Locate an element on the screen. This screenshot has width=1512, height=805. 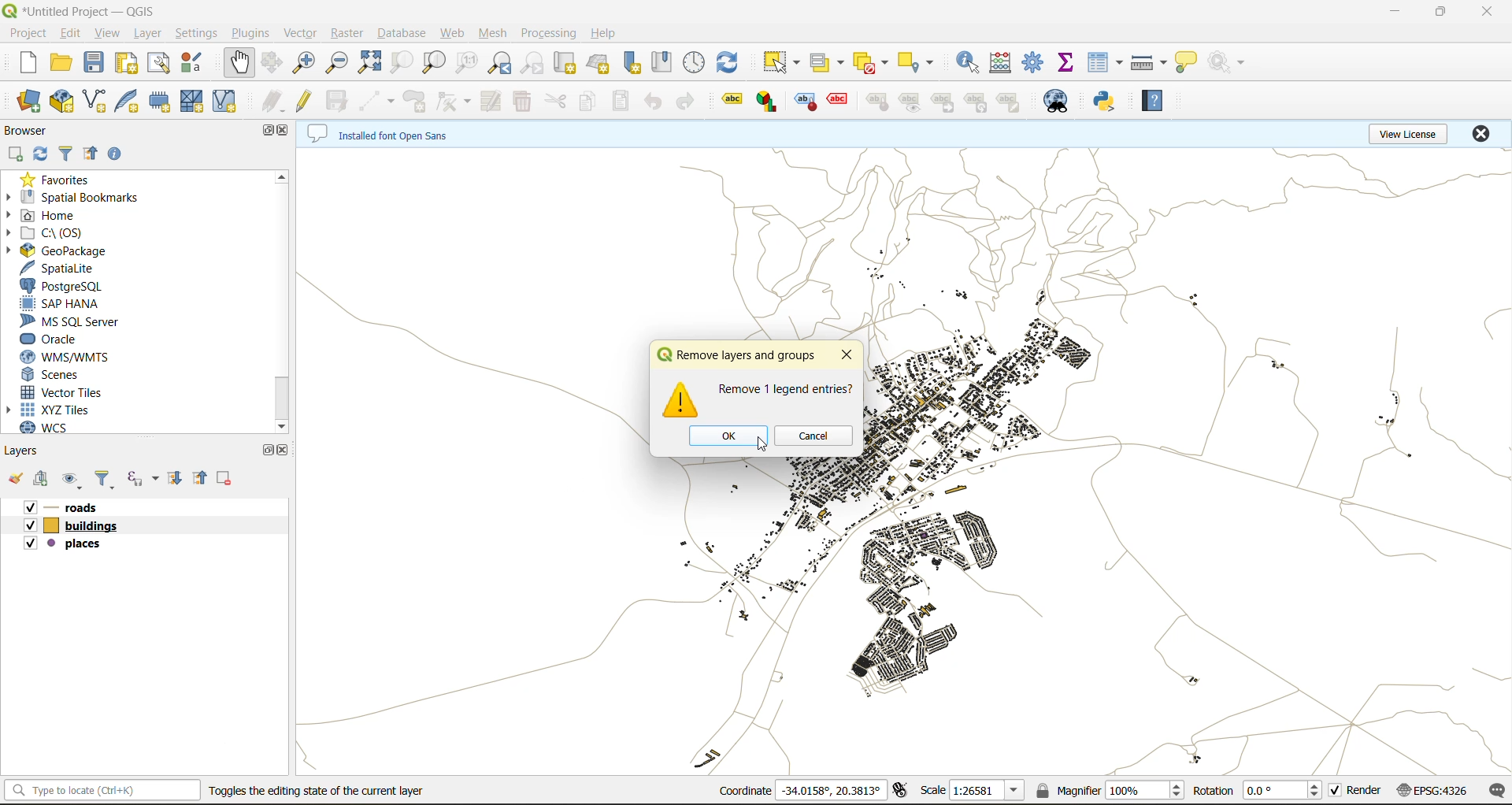
spatialite is located at coordinates (67, 269).